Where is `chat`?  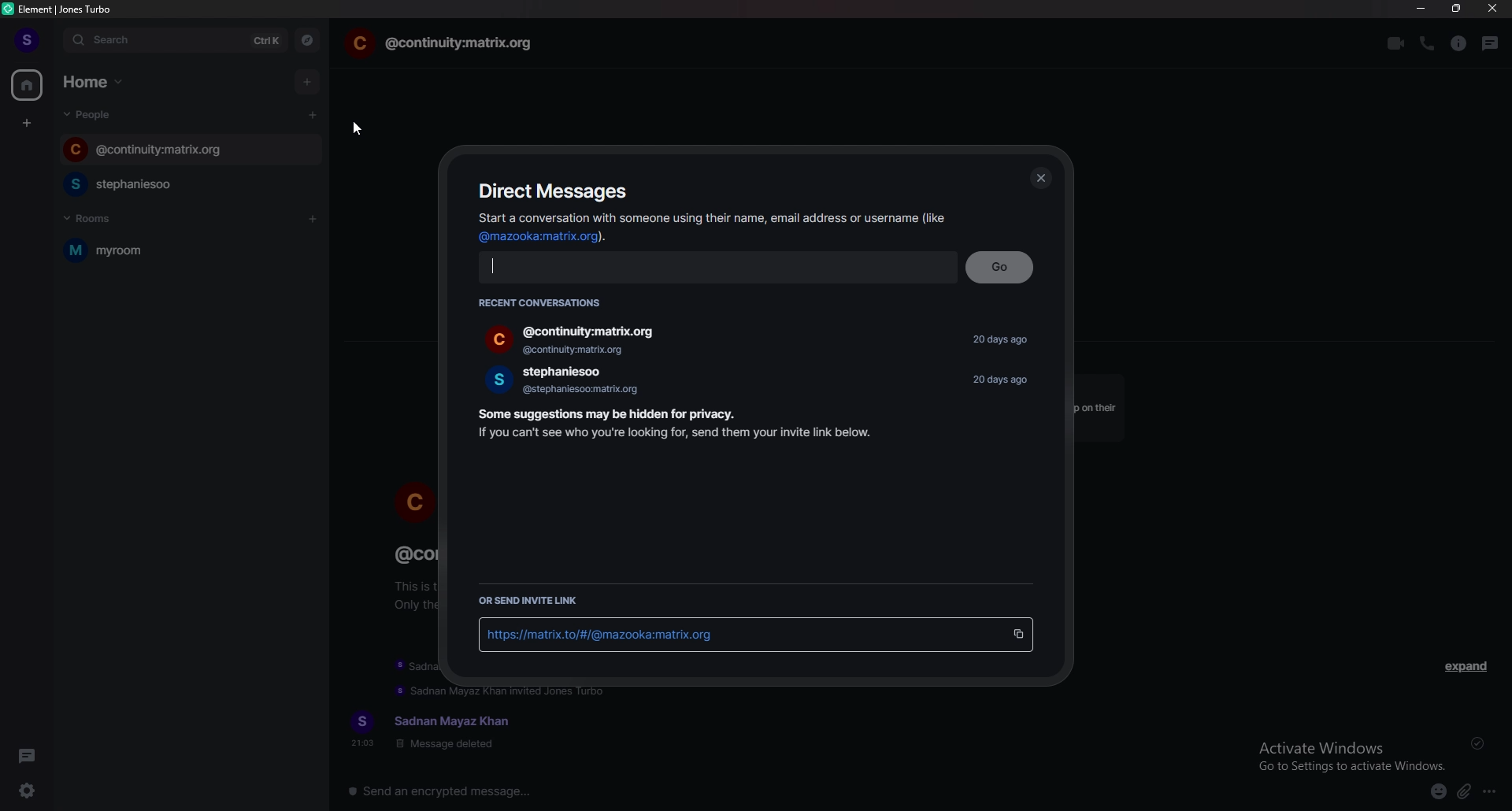 chat is located at coordinates (441, 44).